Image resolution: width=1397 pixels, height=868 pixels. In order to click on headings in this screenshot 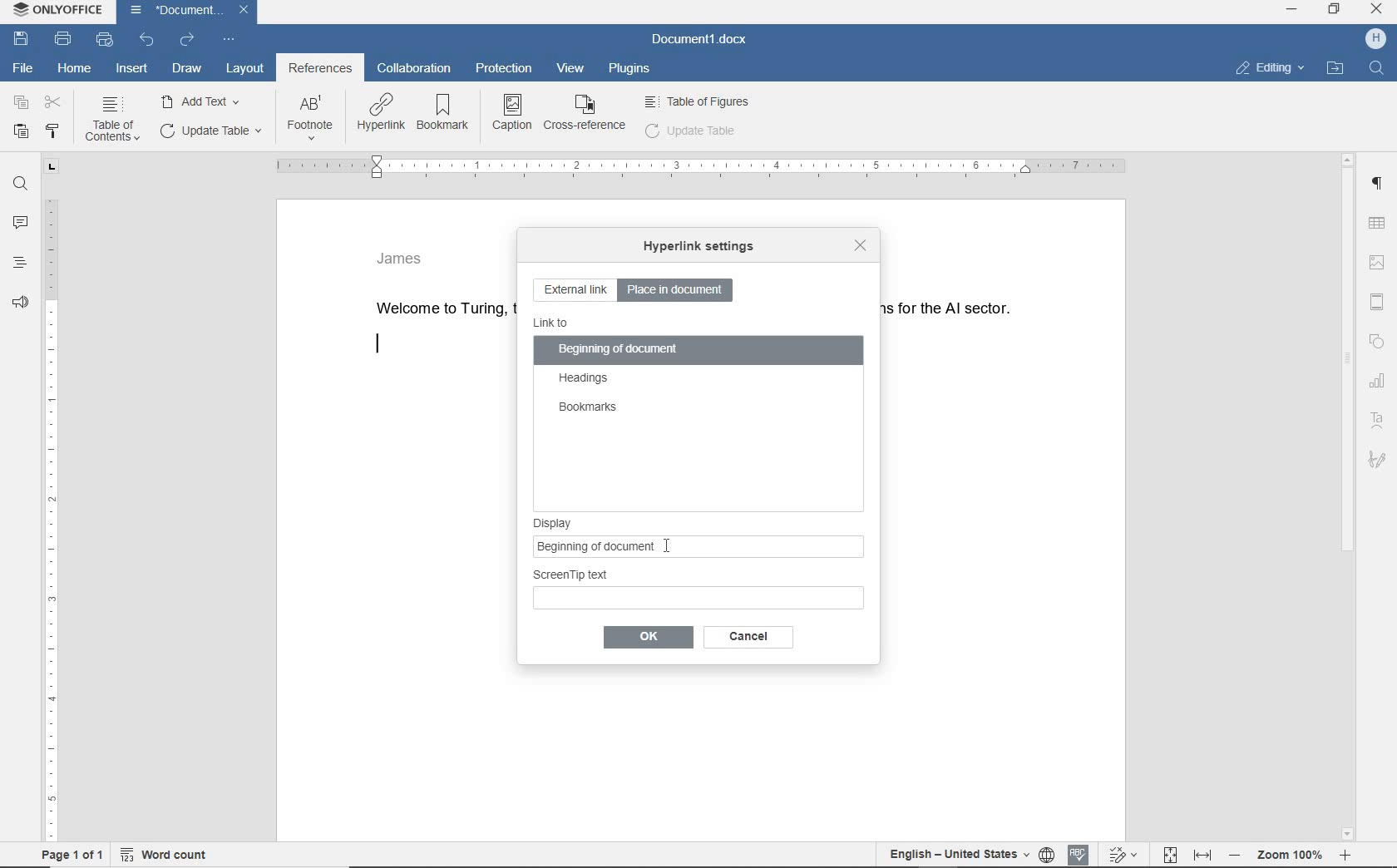, I will do `click(585, 379)`.